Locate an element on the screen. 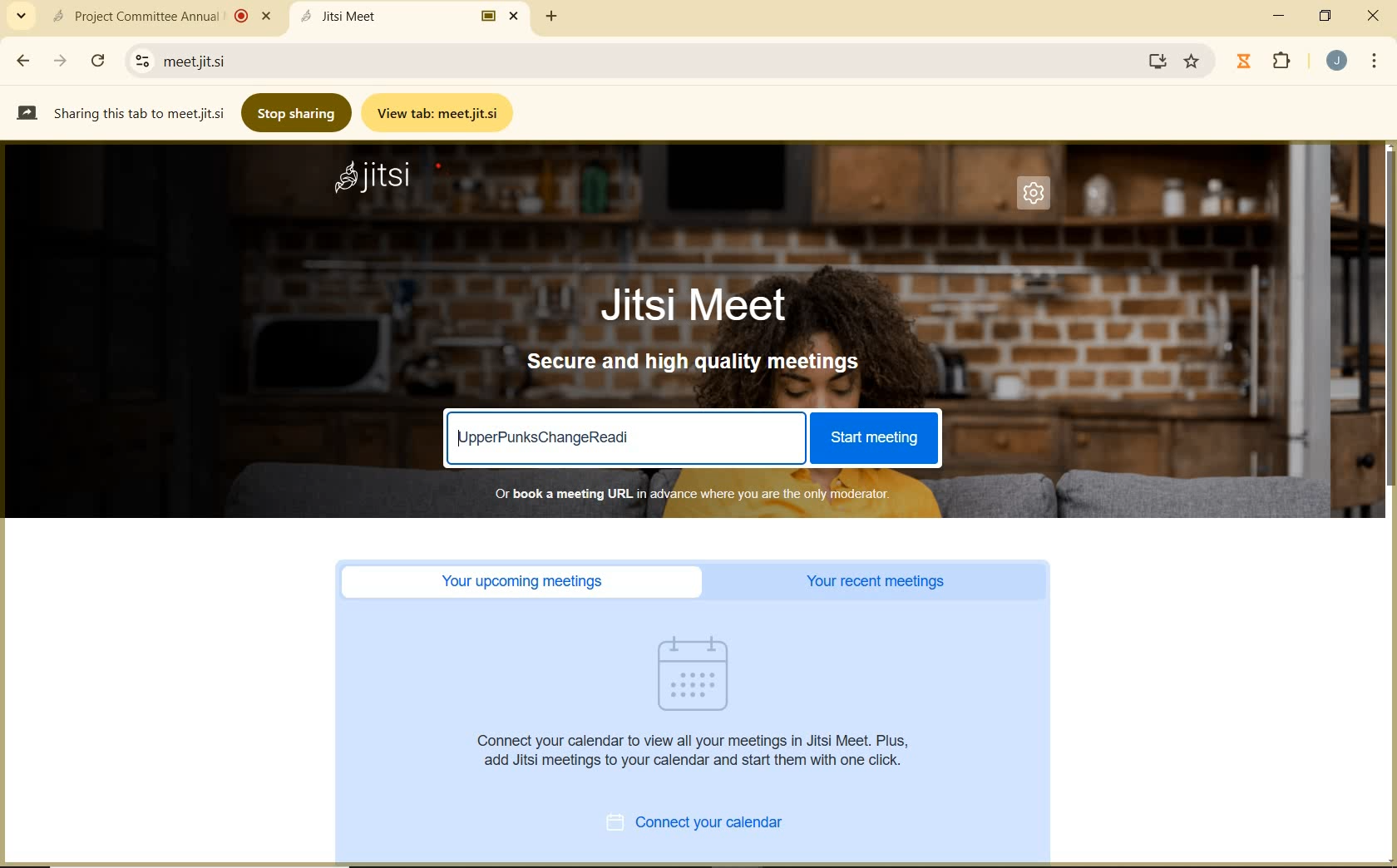 Image resolution: width=1397 pixels, height=868 pixels. image is located at coordinates (702, 673).